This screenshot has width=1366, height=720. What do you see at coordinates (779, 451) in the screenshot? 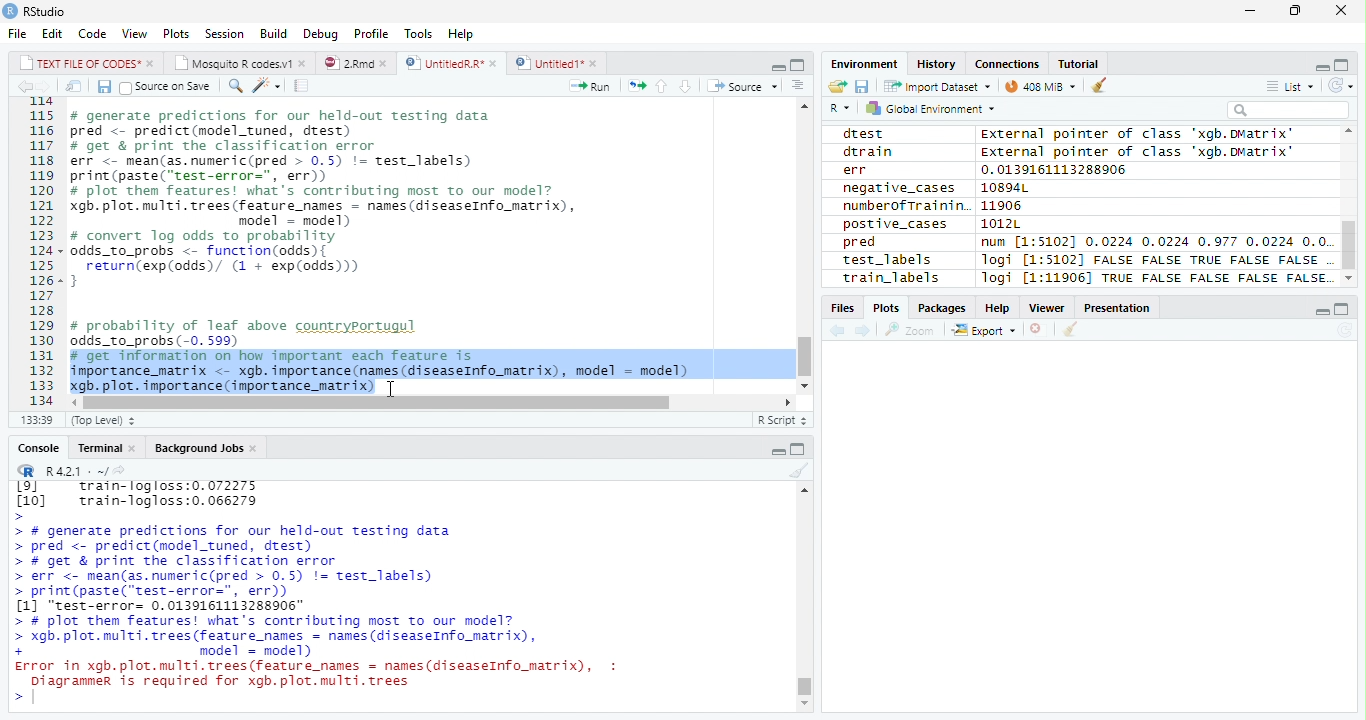
I see `Minimize` at bounding box center [779, 451].